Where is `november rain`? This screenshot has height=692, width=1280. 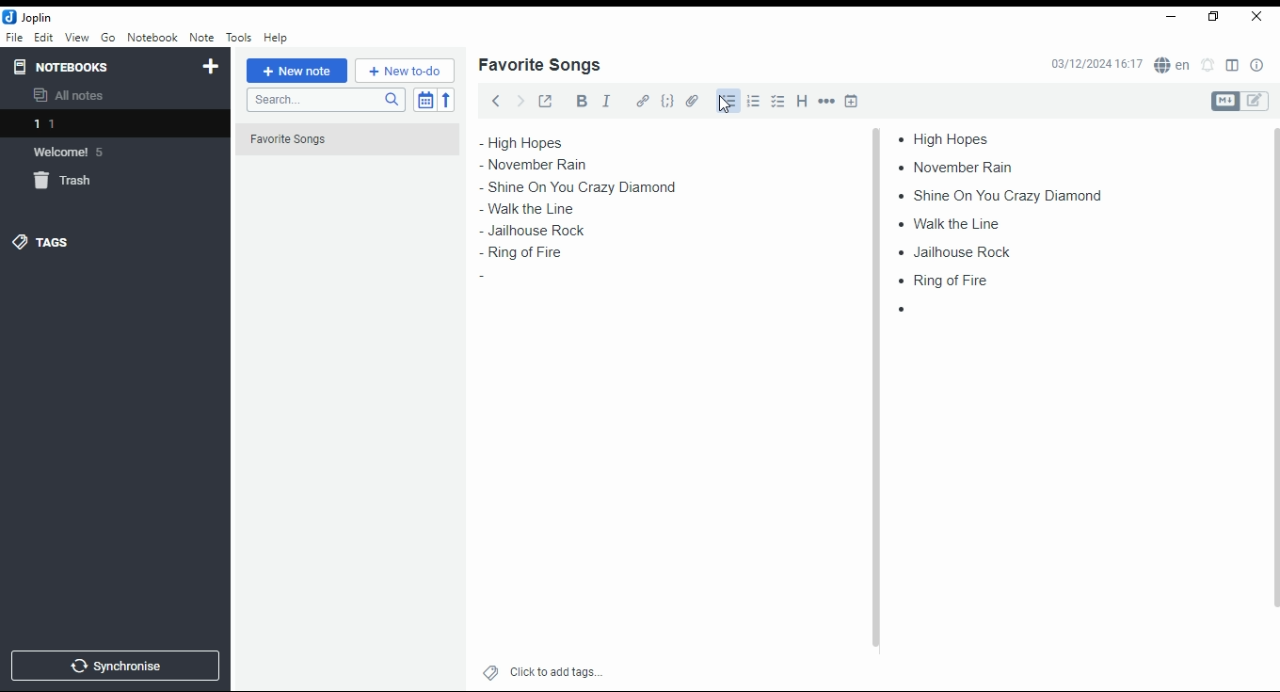 november rain is located at coordinates (962, 166).